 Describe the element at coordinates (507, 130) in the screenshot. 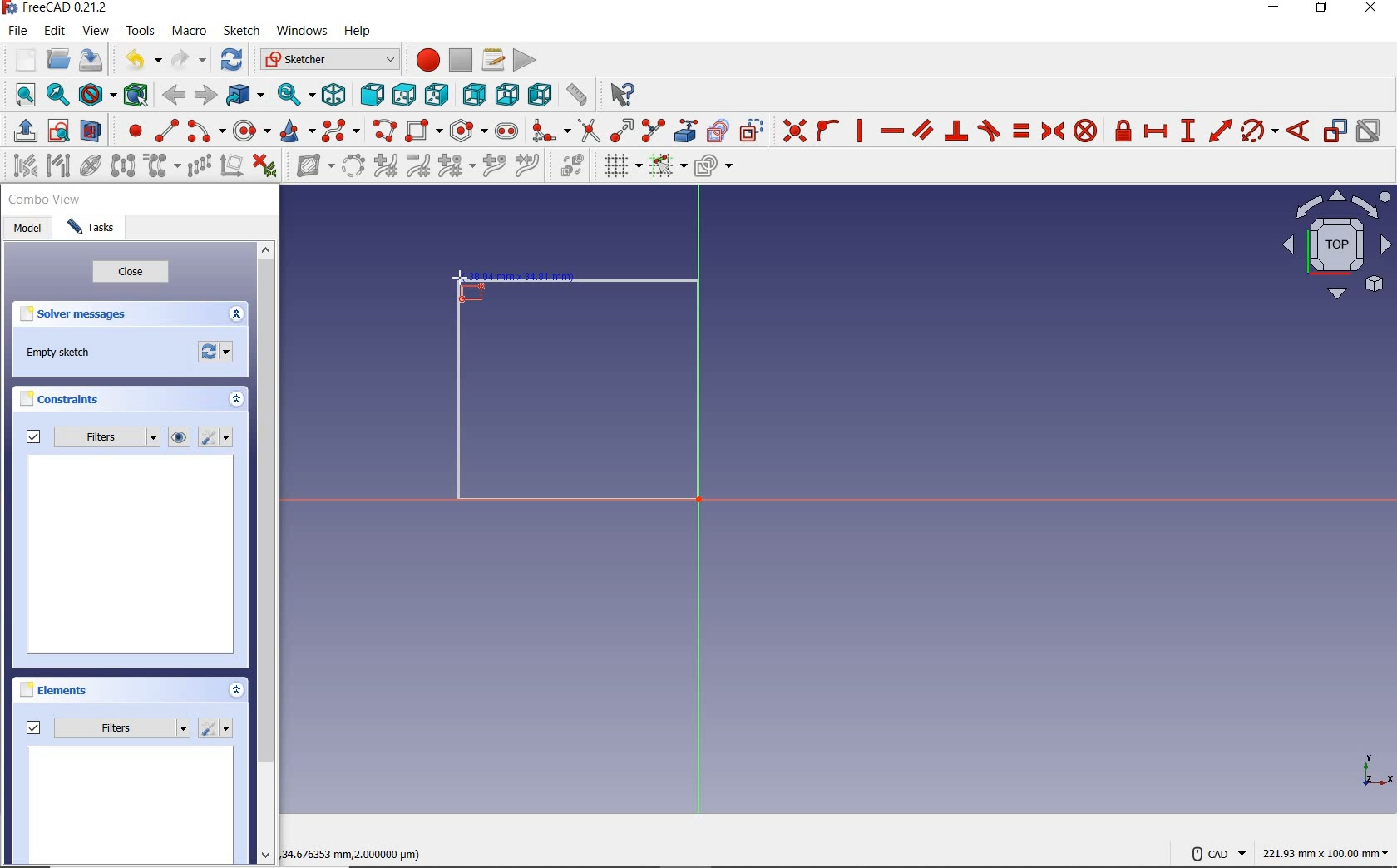

I see `create slot` at that location.